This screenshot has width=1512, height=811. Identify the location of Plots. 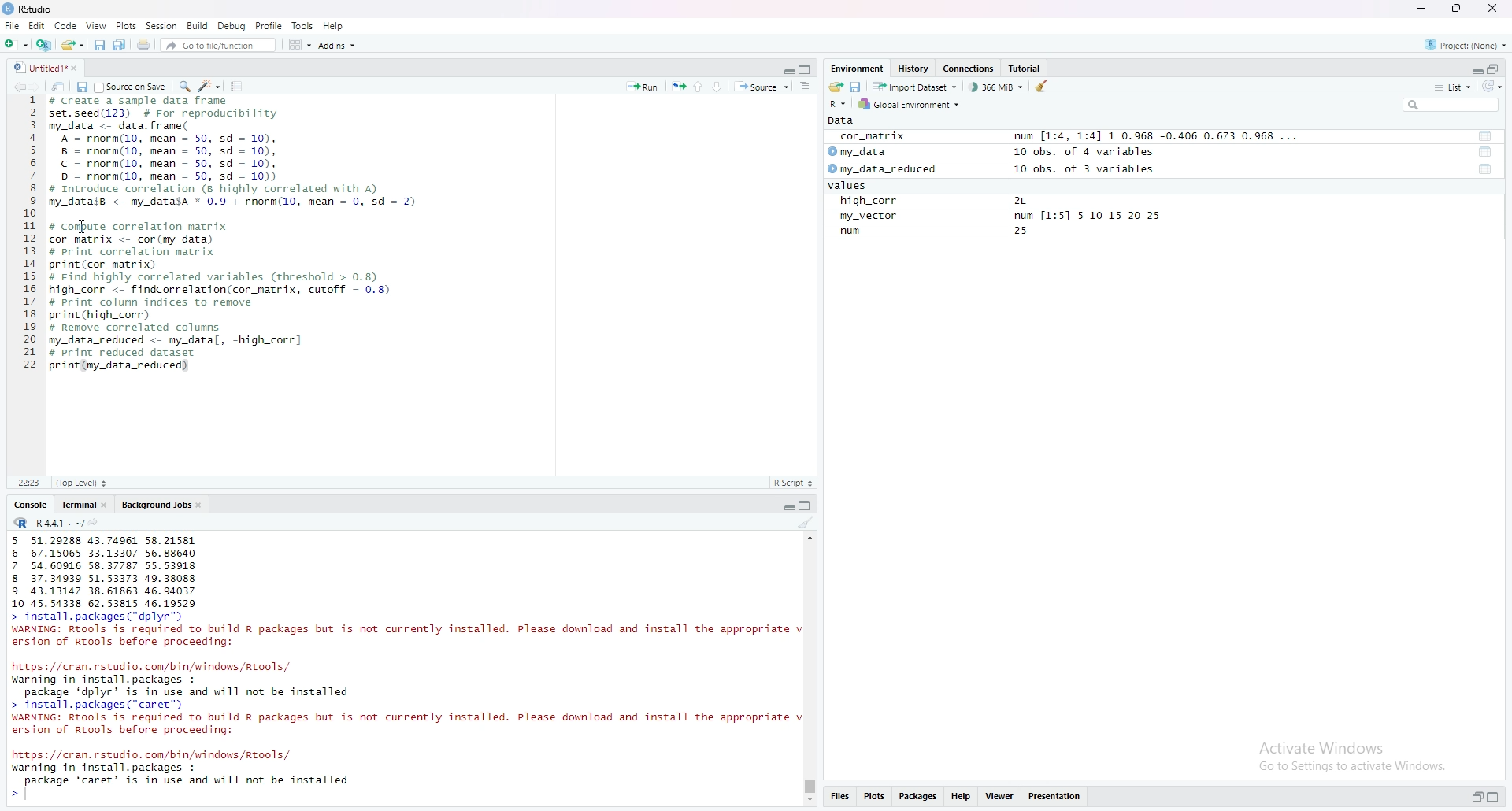
(873, 796).